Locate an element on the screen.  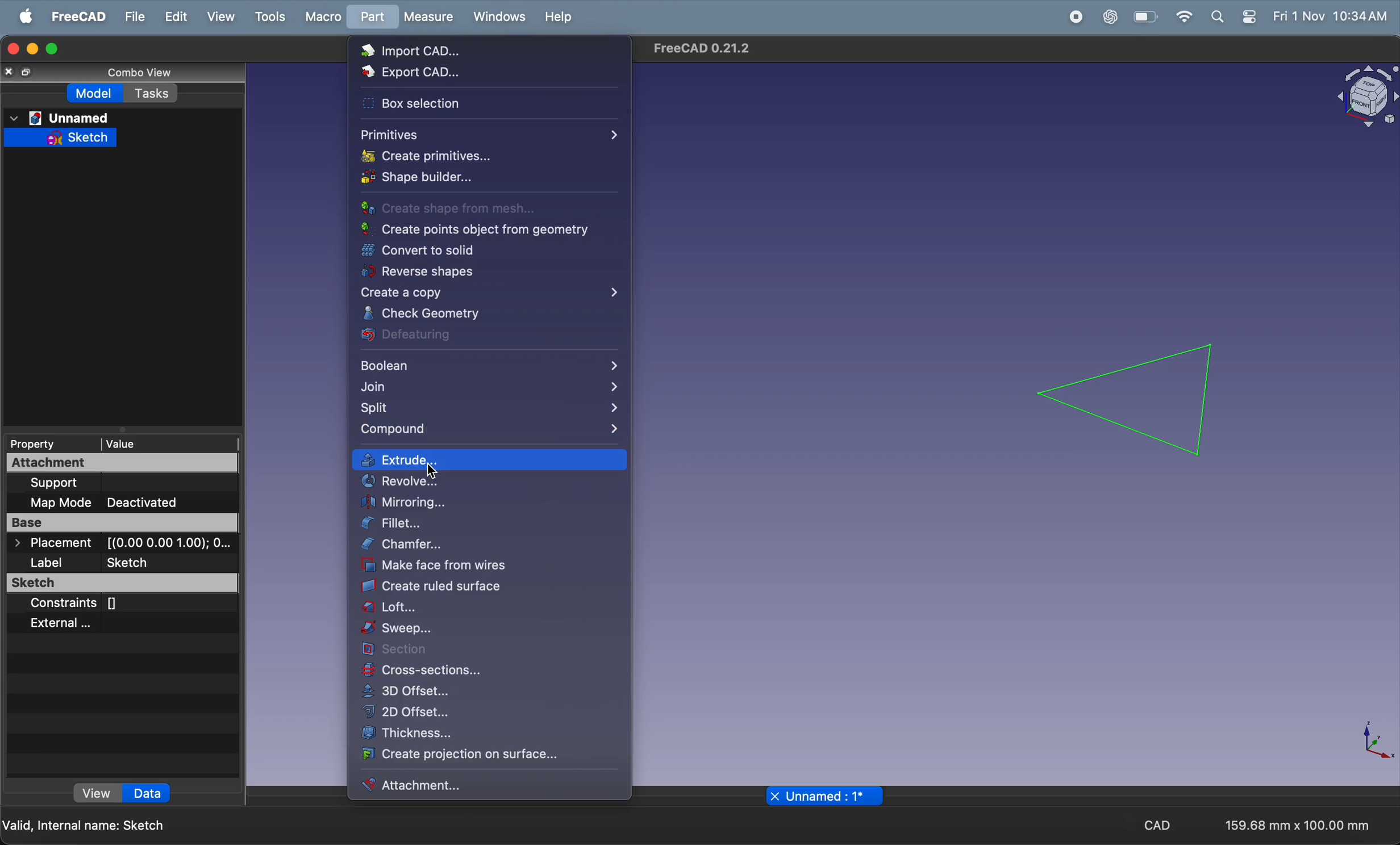
check geometry is located at coordinates (482, 315).